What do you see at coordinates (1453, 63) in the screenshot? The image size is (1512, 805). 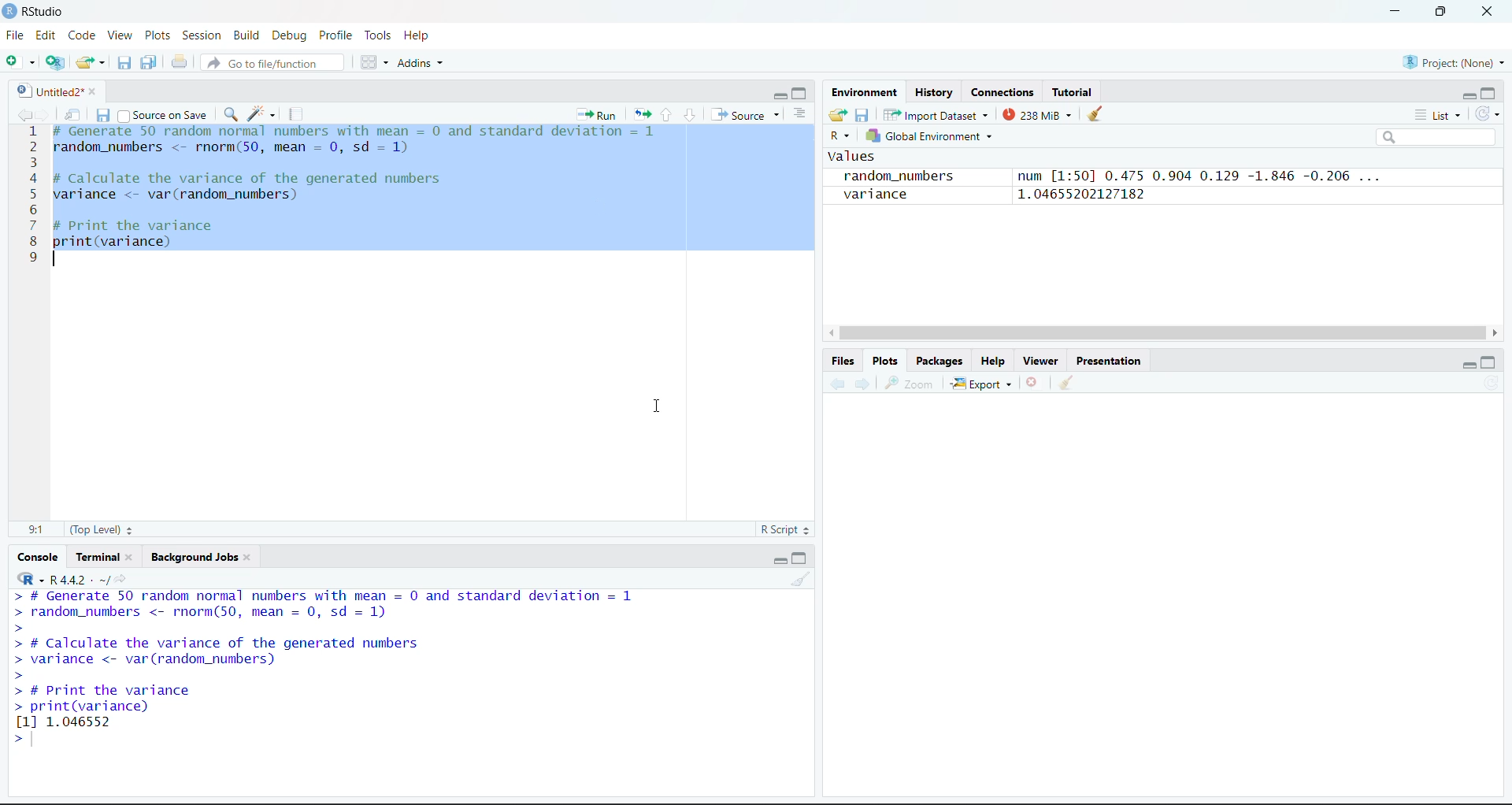 I see `Project (None)` at bounding box center [1453, 63].